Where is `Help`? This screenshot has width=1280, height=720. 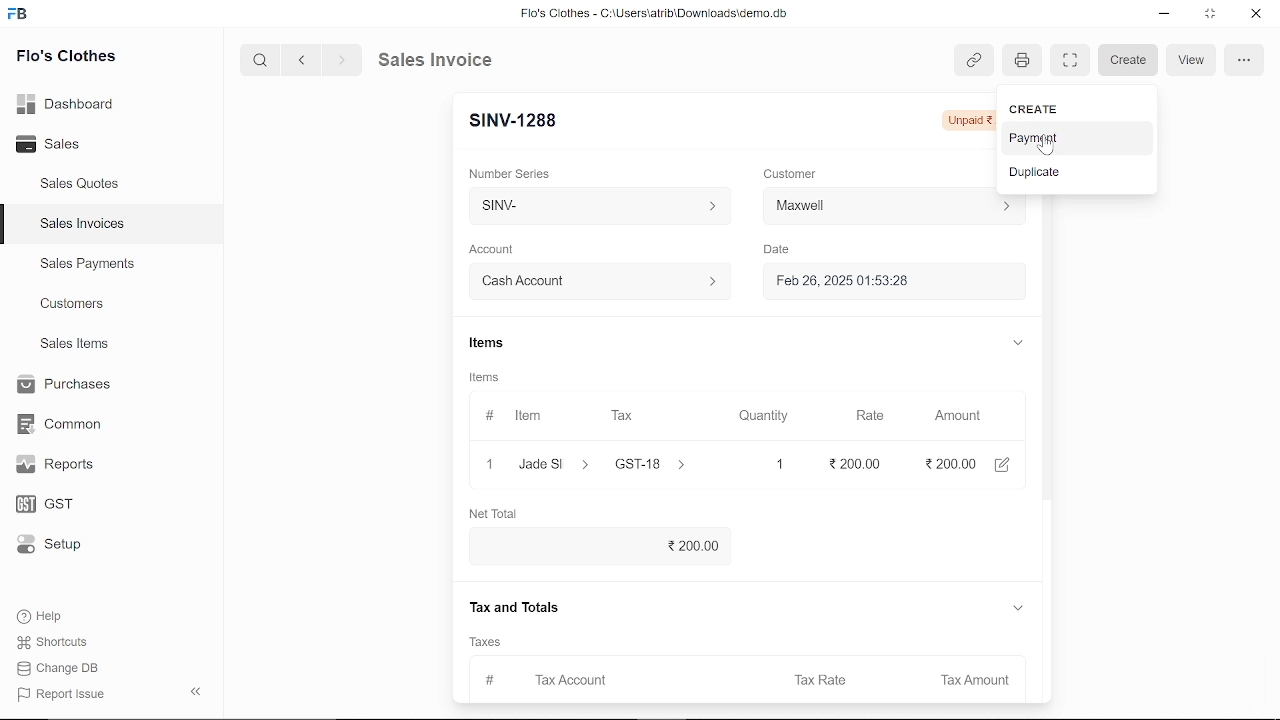 Help is located at coordinates (53, 616).